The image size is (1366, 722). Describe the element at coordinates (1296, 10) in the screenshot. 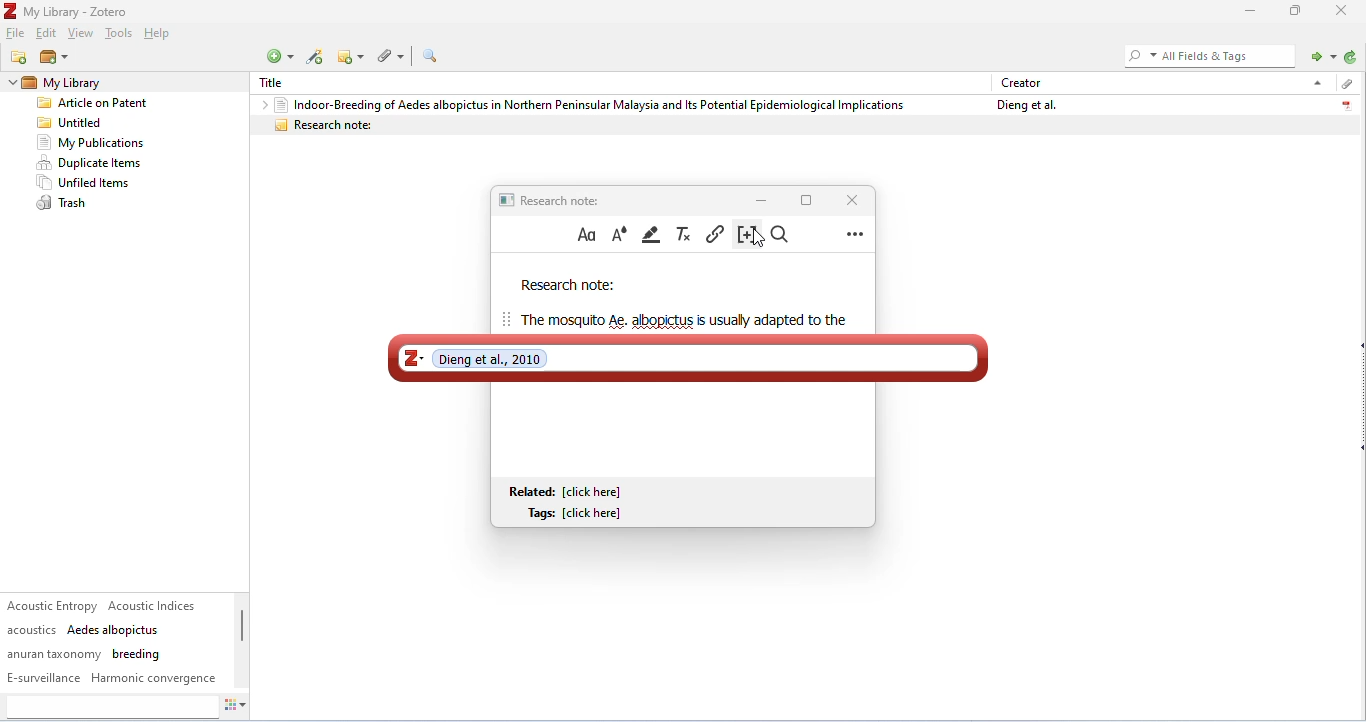

I see `maximize` at that location.